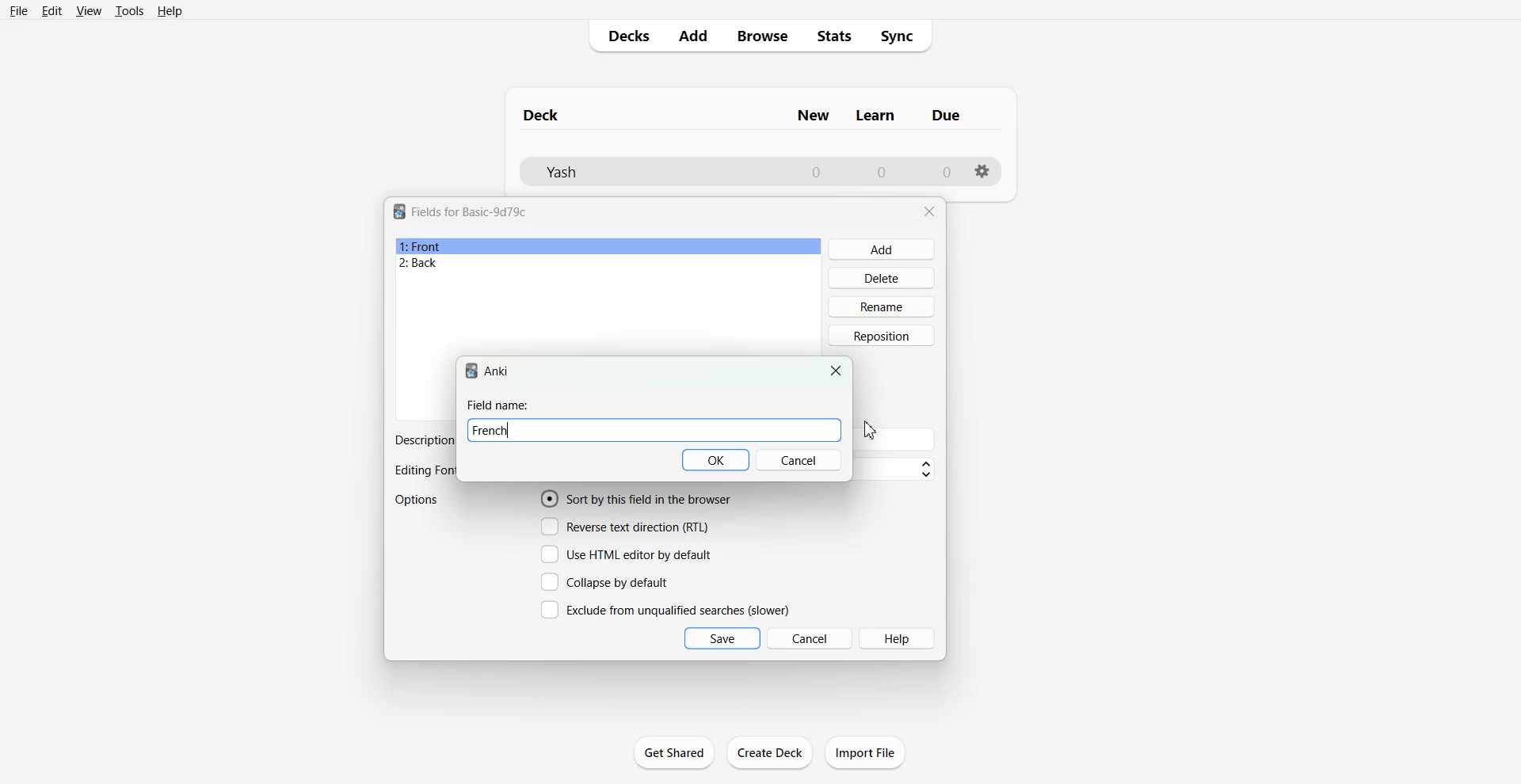  Describe the element at coordinates (882, 249) in the screenshot. I see `Add` at that location.